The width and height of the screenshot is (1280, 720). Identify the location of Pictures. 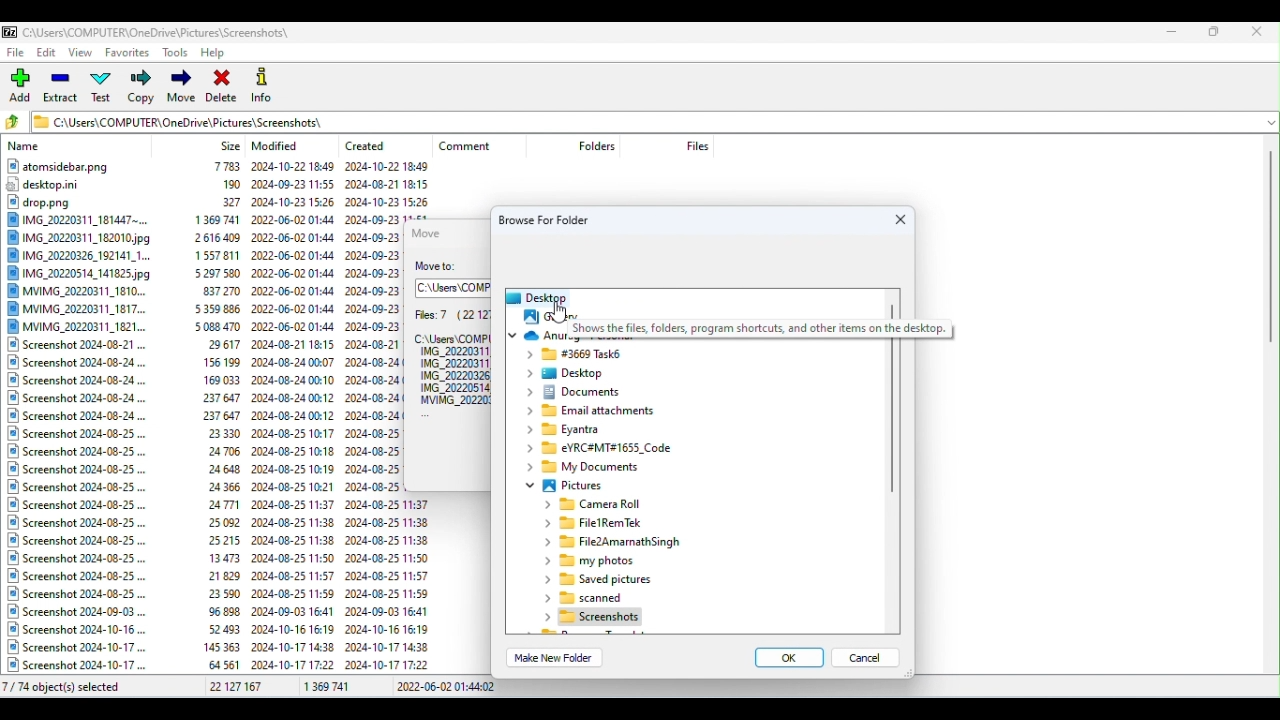
(563, 488).